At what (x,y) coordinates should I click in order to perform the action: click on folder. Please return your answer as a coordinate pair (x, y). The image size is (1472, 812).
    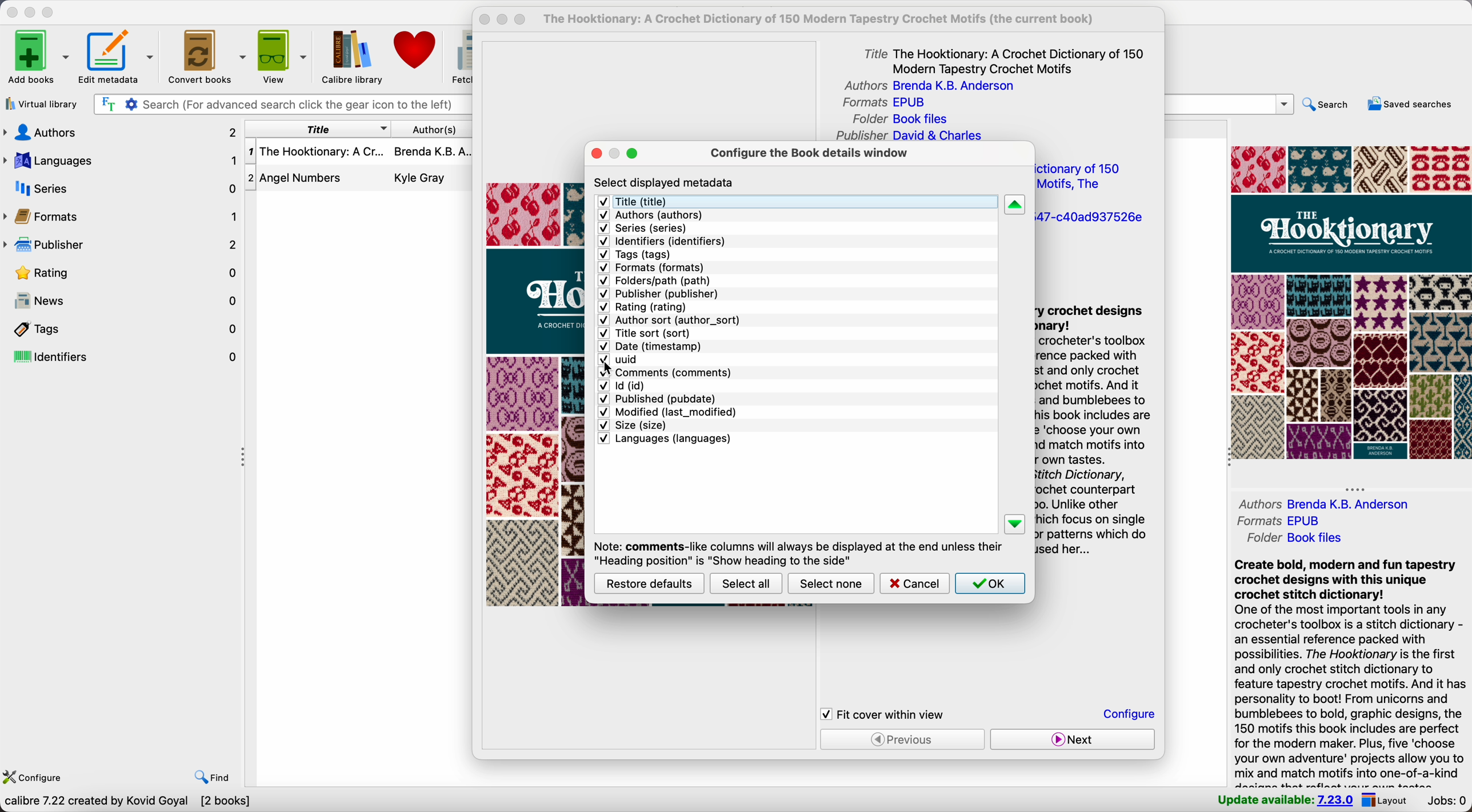
    Looking at the image, I should click on (1299, 538).